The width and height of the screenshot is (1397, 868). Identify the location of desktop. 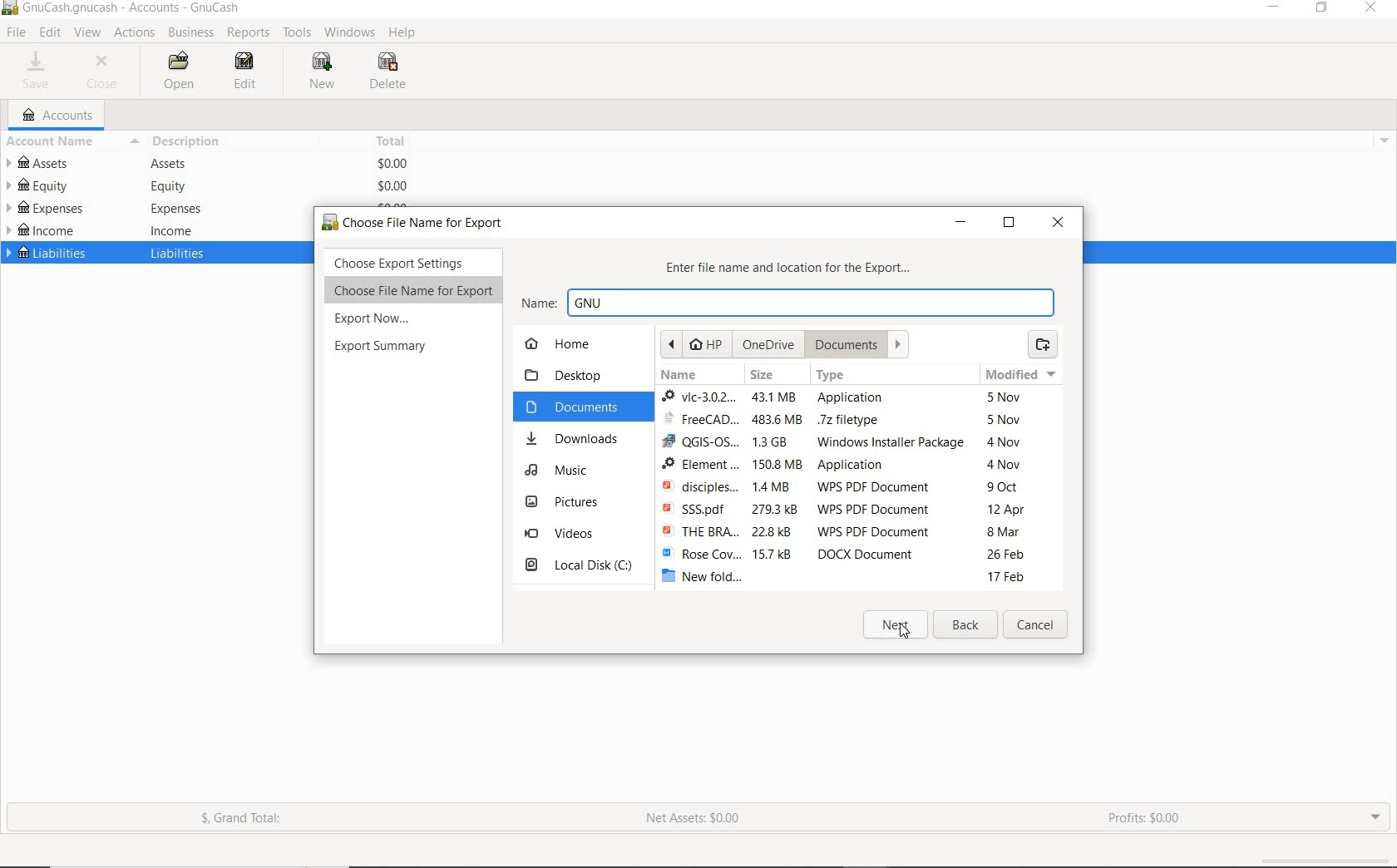
(569, 375).